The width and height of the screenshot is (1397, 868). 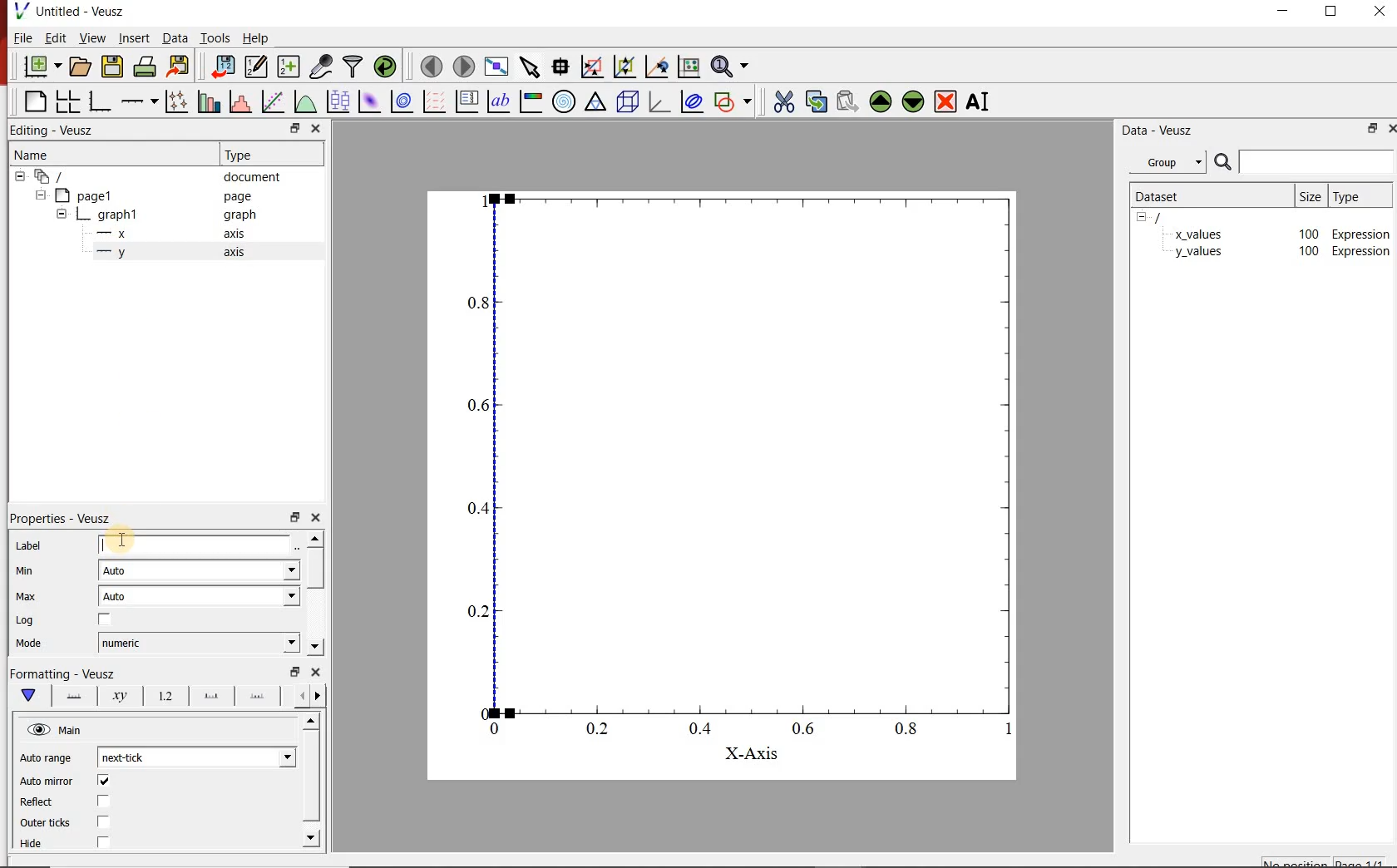 What do you see at coordinates (294, 127) in the screenshot?
I see `restore down` at bounding box center [294, 127].